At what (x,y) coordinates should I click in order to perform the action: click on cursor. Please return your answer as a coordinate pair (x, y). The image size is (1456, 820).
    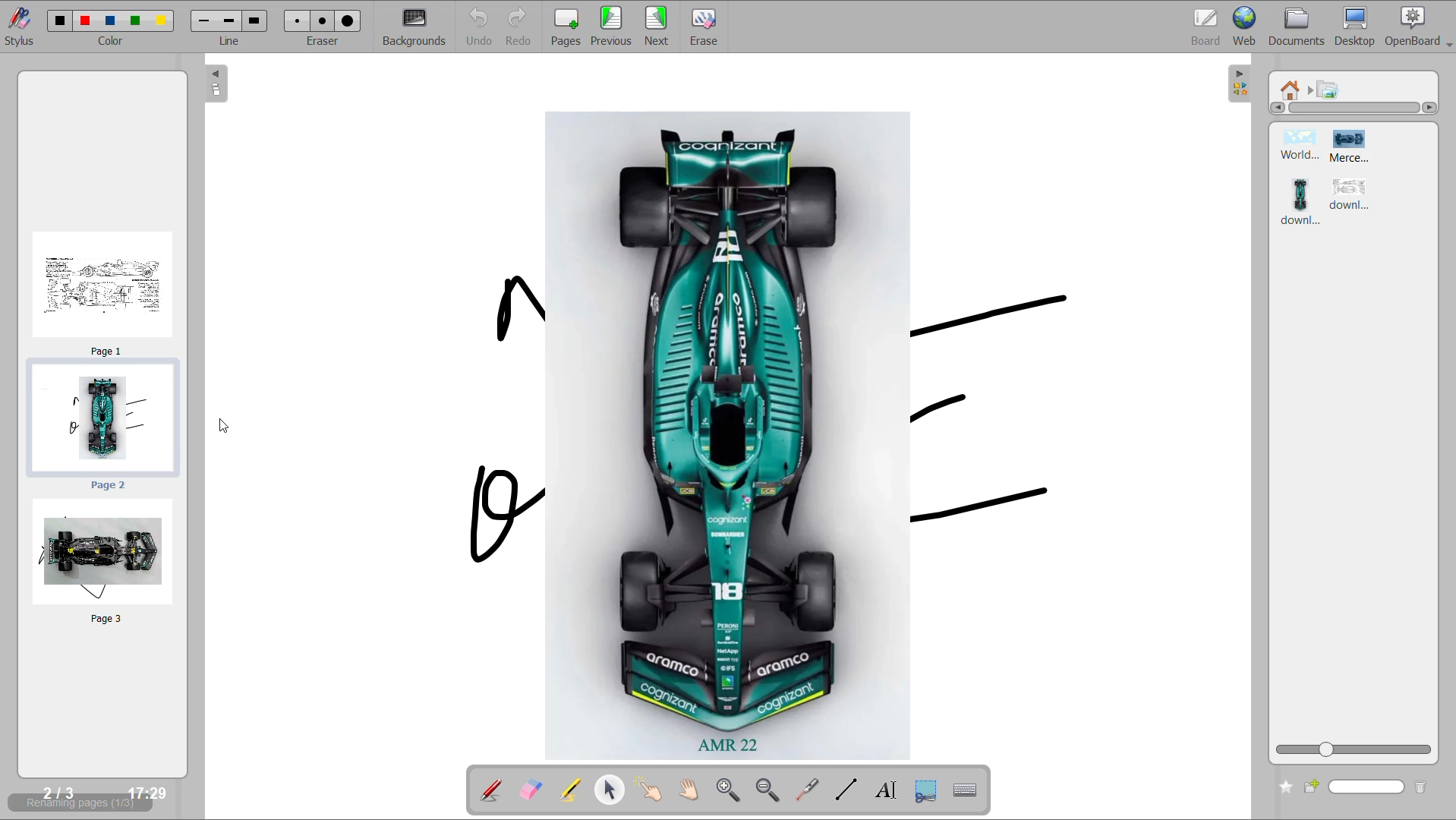
    Looking at the image, I should click on (225, 427).